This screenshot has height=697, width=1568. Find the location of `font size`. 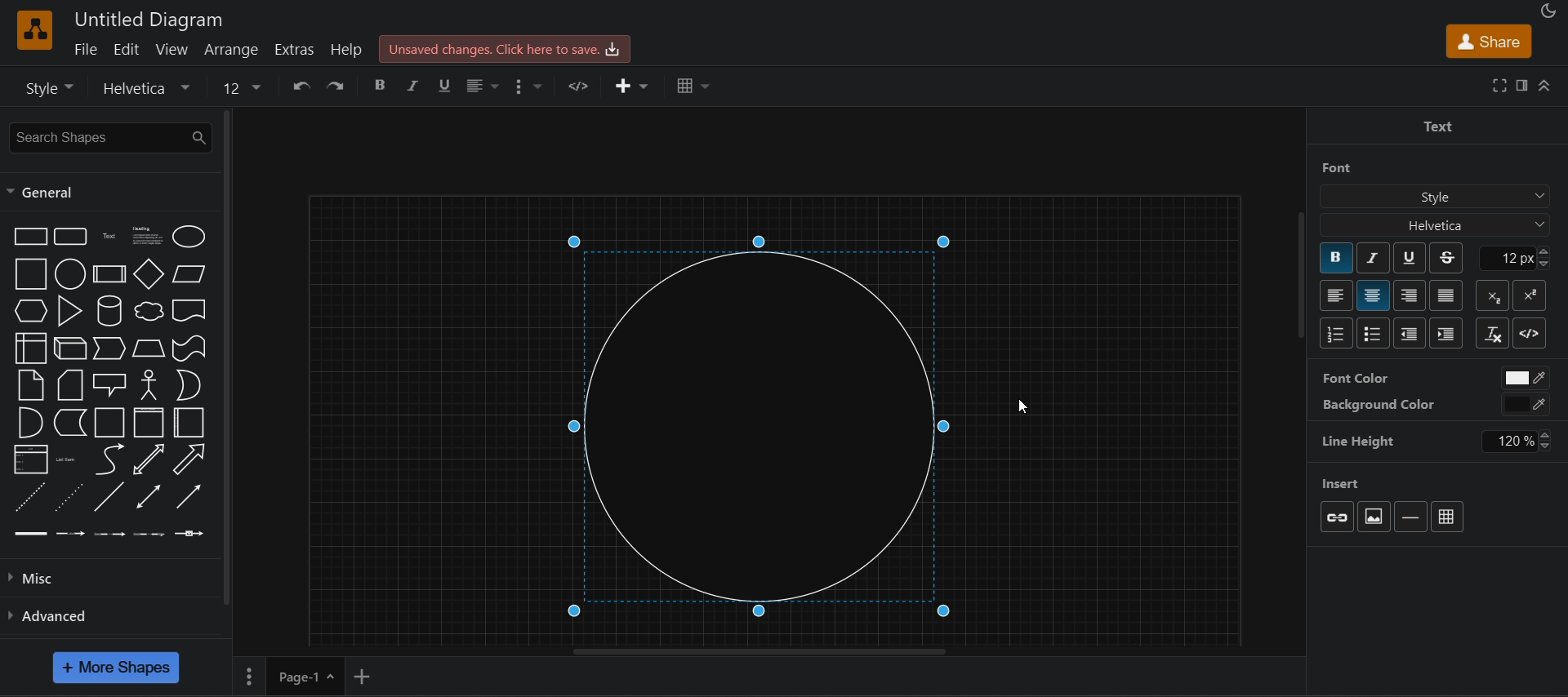

font size is located at coordinates (1527, 257).